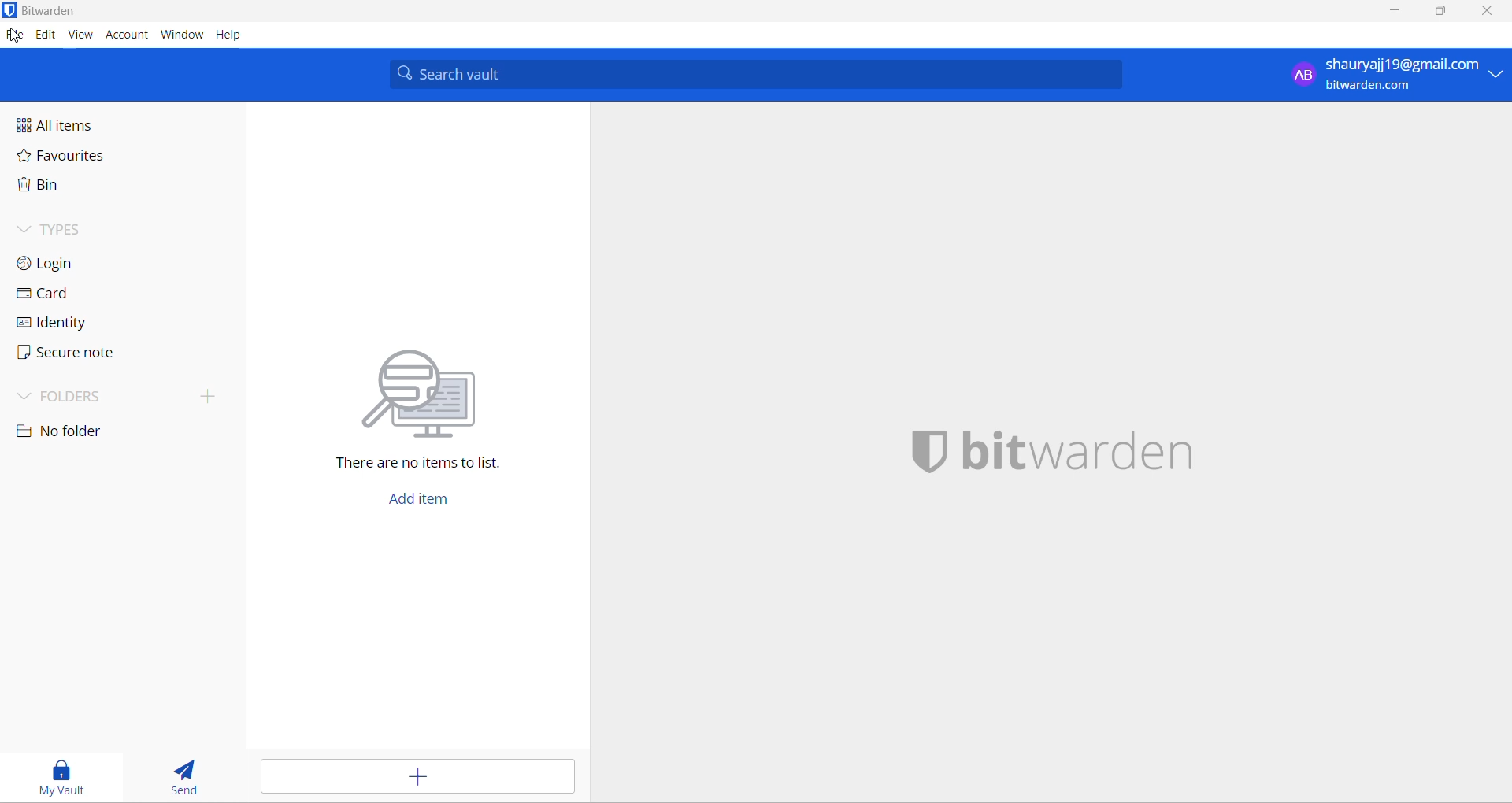 The image size is (1512, 803). Describe the element at coordinates (1397, 76) in the screenshot. I see `logged in email` at that location.